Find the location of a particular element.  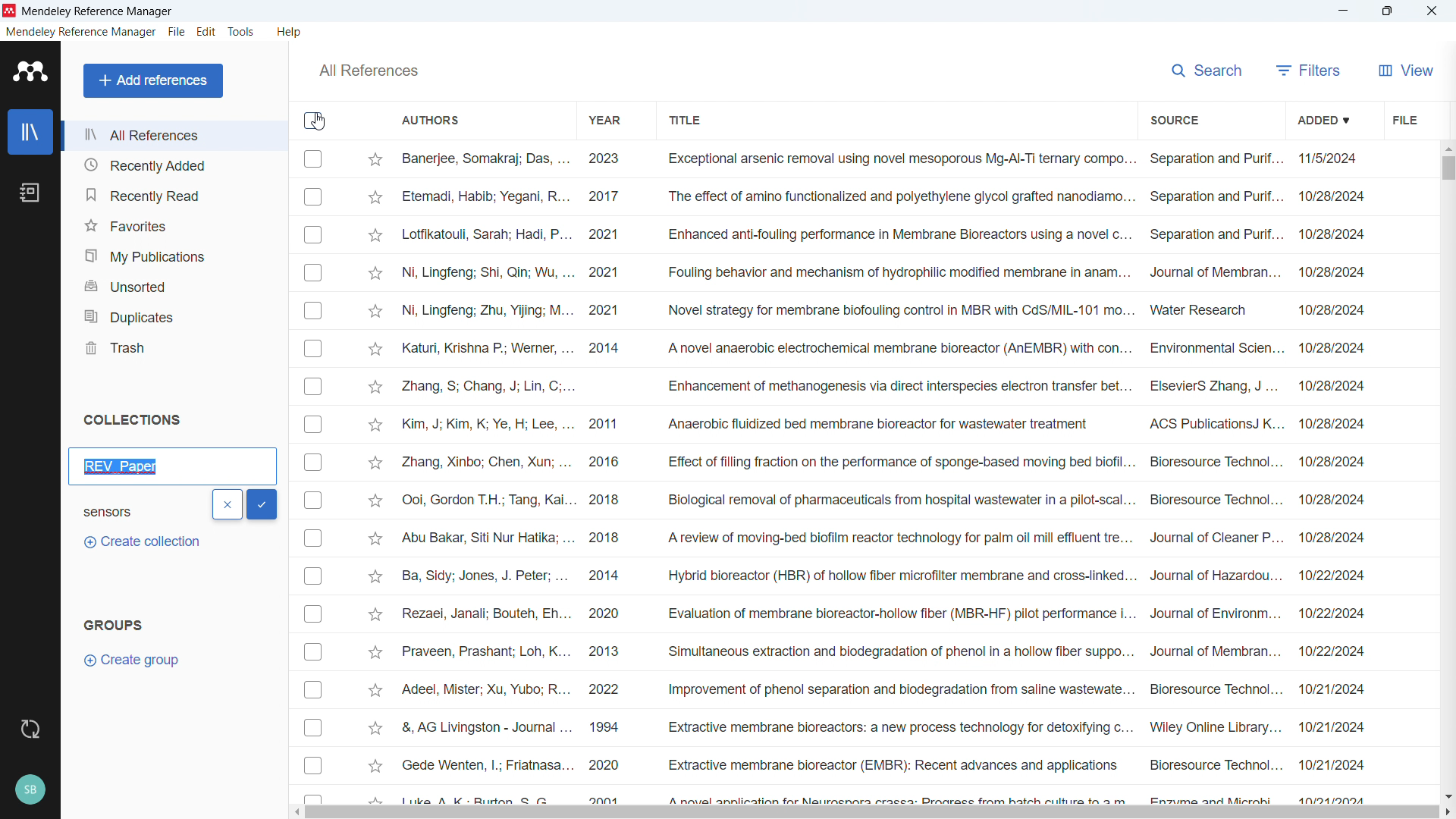

minimise  is located at coordinates (1346, 11).